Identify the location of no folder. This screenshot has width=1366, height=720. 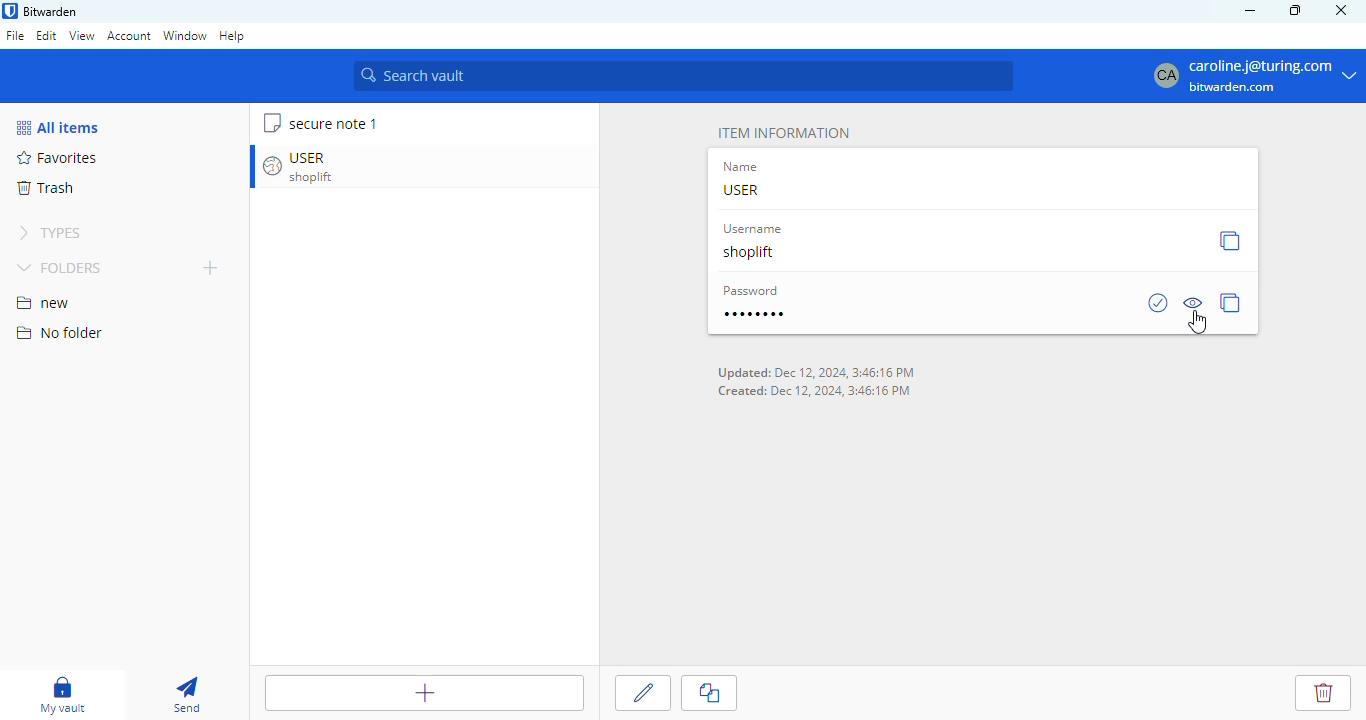
(60, 334).